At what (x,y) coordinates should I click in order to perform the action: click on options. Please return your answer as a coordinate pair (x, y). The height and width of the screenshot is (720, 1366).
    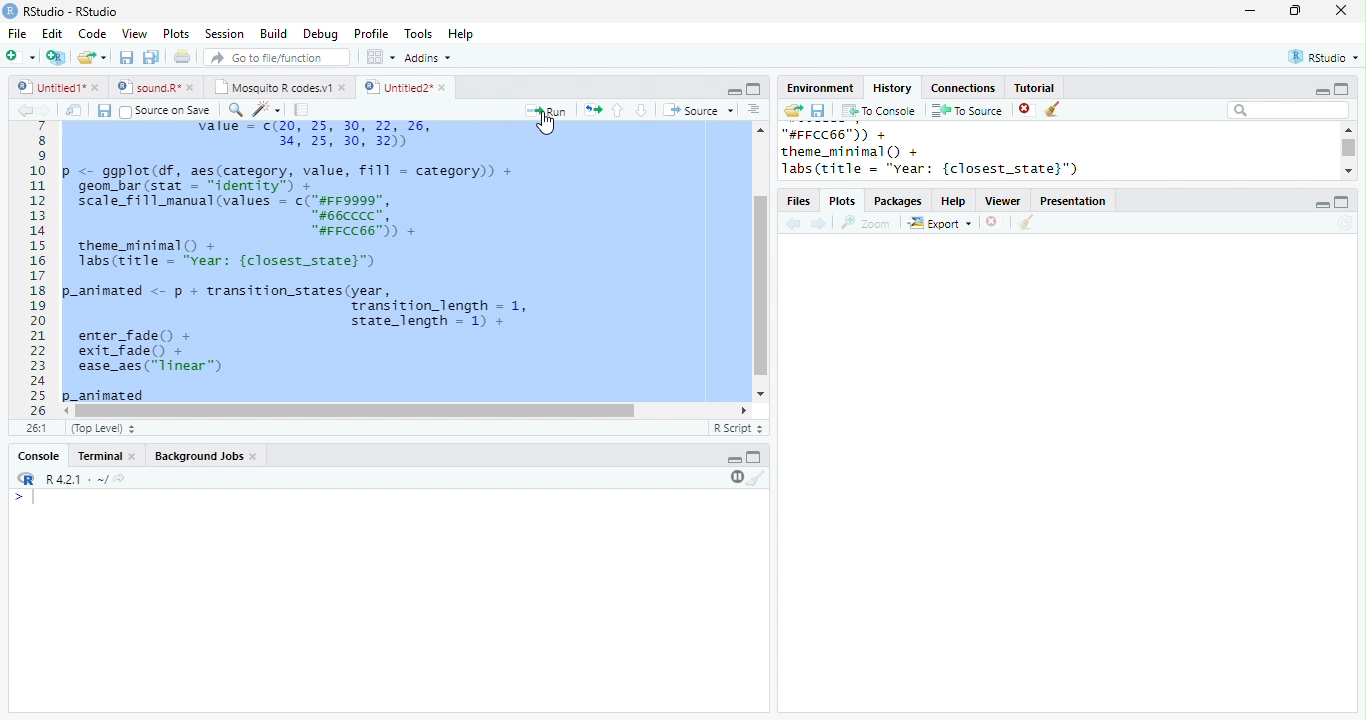
    Looking at the image, I should click on (752, 109).